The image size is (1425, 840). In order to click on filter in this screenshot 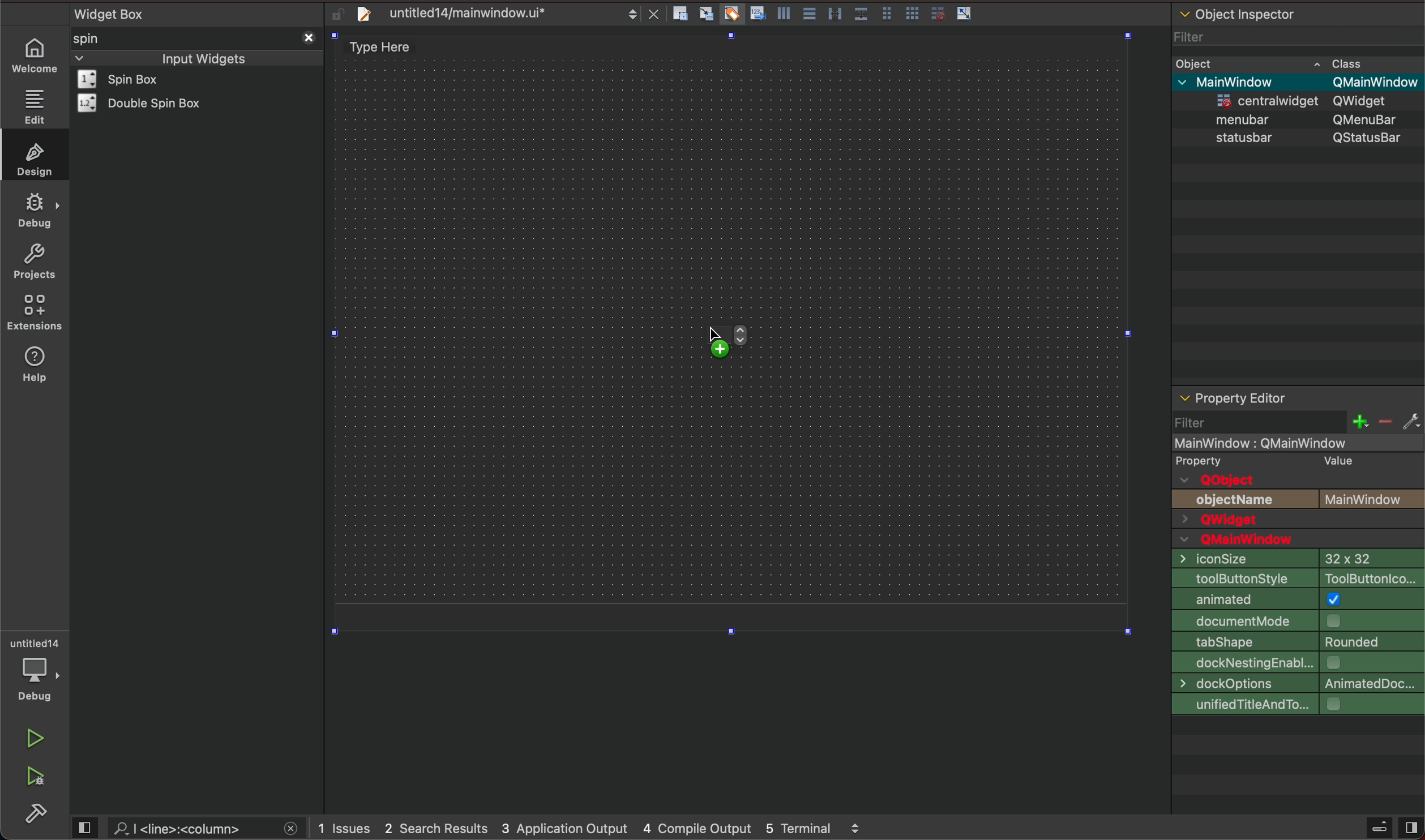, I will do `click(1192, 33)`.